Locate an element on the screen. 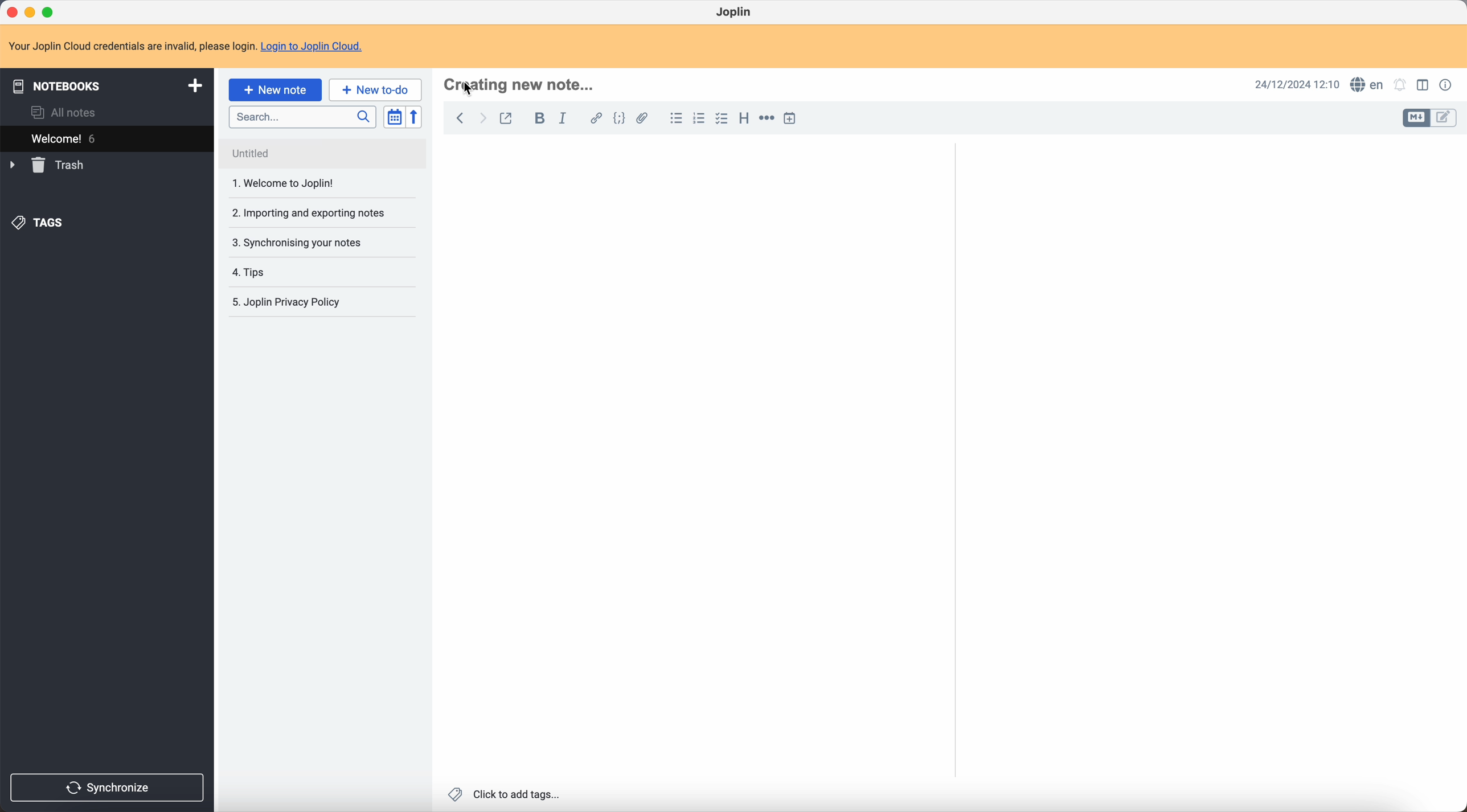 The image size is (1467, 812). note is located at coordinates (186, 46).